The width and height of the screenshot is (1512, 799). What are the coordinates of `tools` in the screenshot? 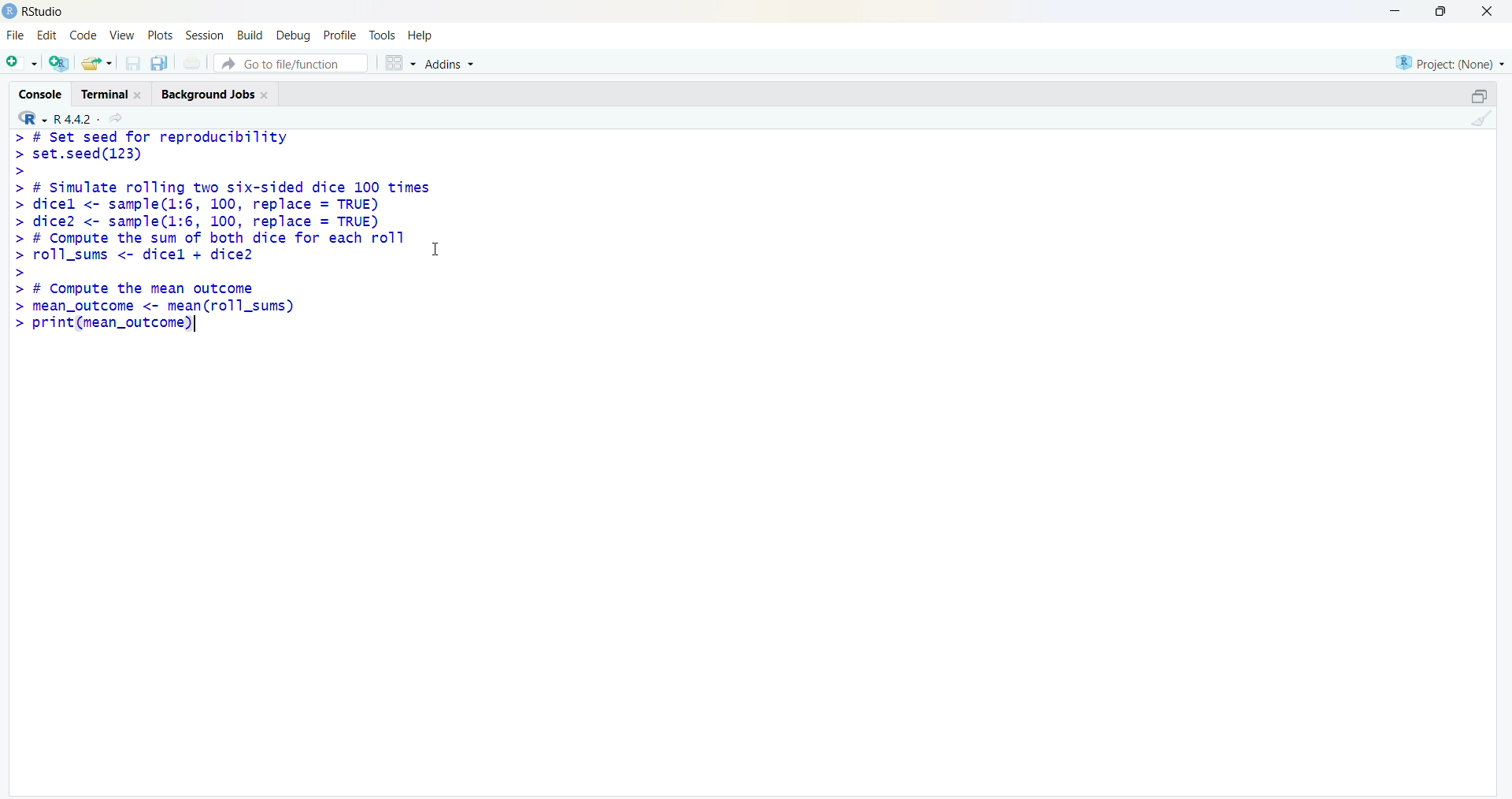 It's located at (383, 36).